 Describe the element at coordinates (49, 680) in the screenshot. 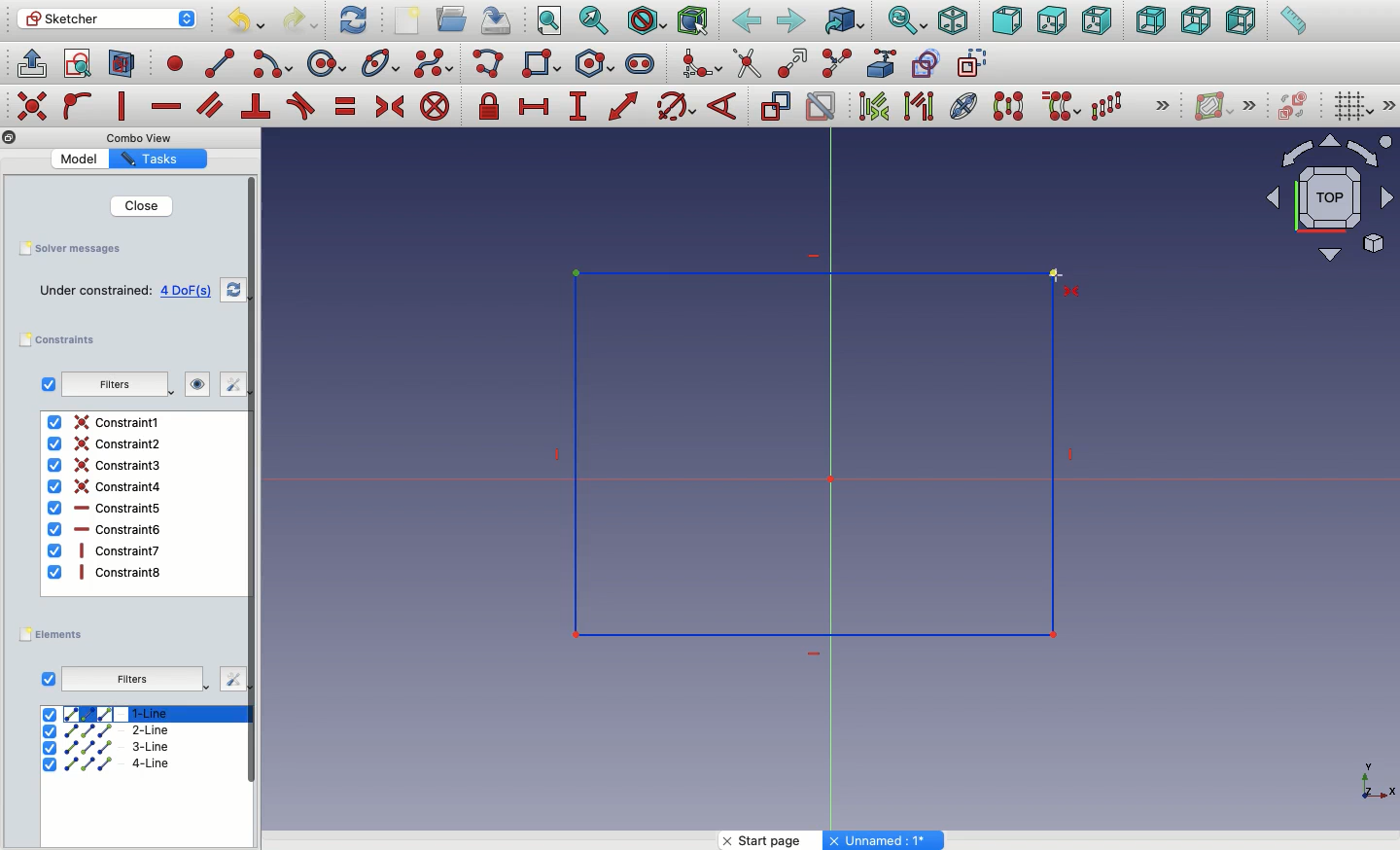

I see `Checkbox` at that location.